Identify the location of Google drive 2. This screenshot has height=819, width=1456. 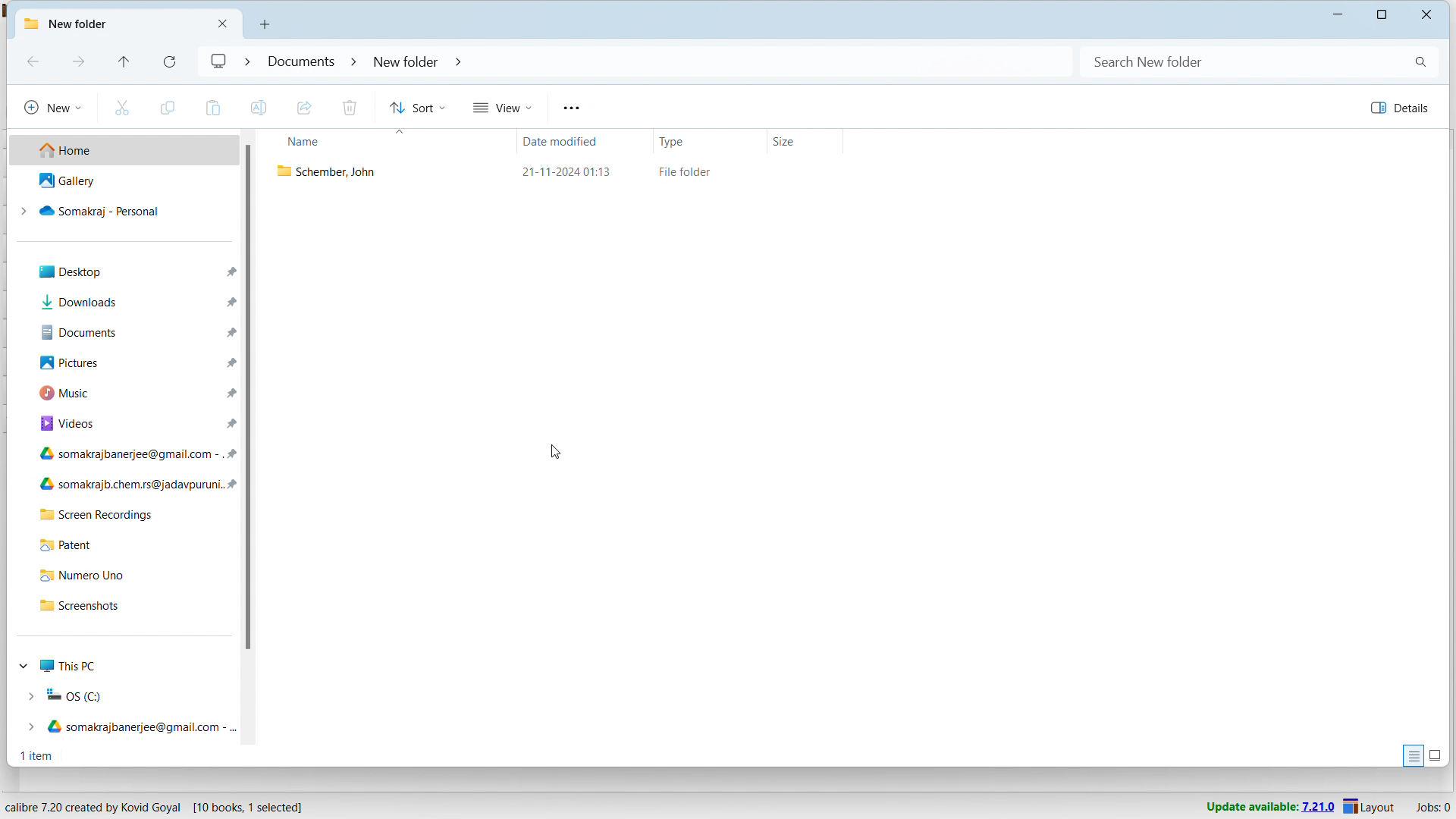
(137, 482).